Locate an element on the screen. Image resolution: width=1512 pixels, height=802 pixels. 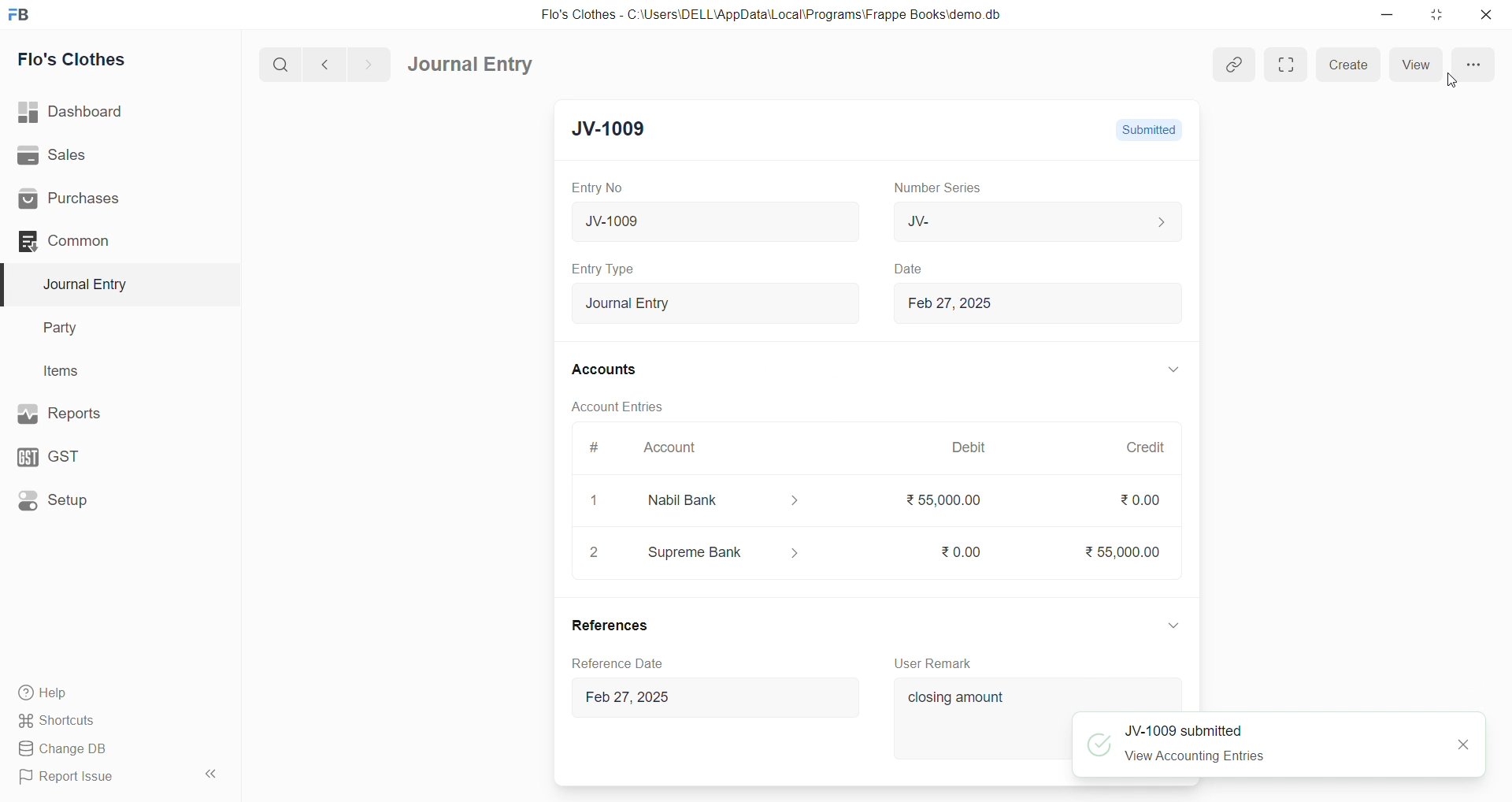
View is located at coordinates (1418, 64).